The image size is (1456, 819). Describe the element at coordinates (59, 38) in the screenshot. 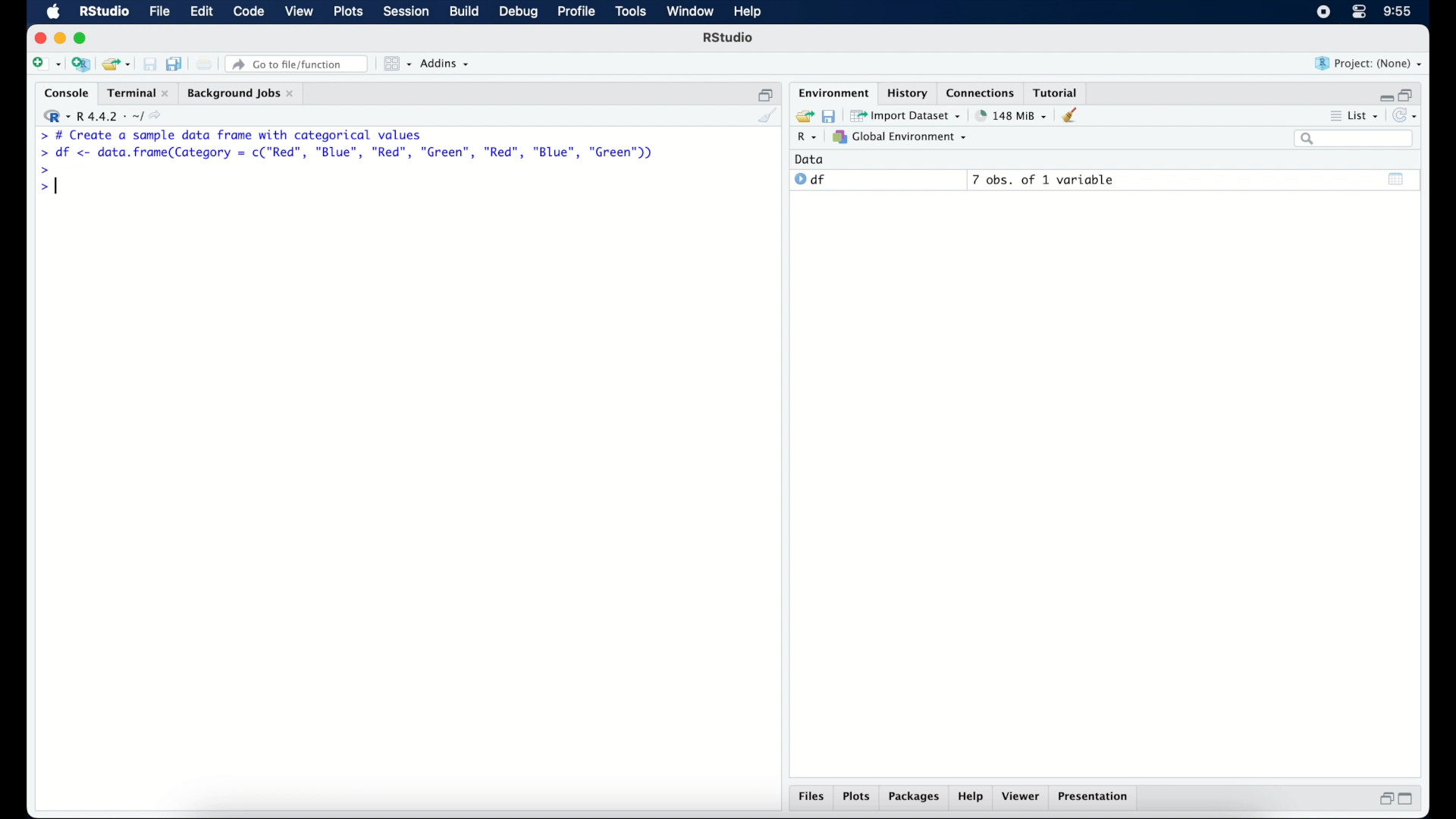

I see `minimzie` at that location.